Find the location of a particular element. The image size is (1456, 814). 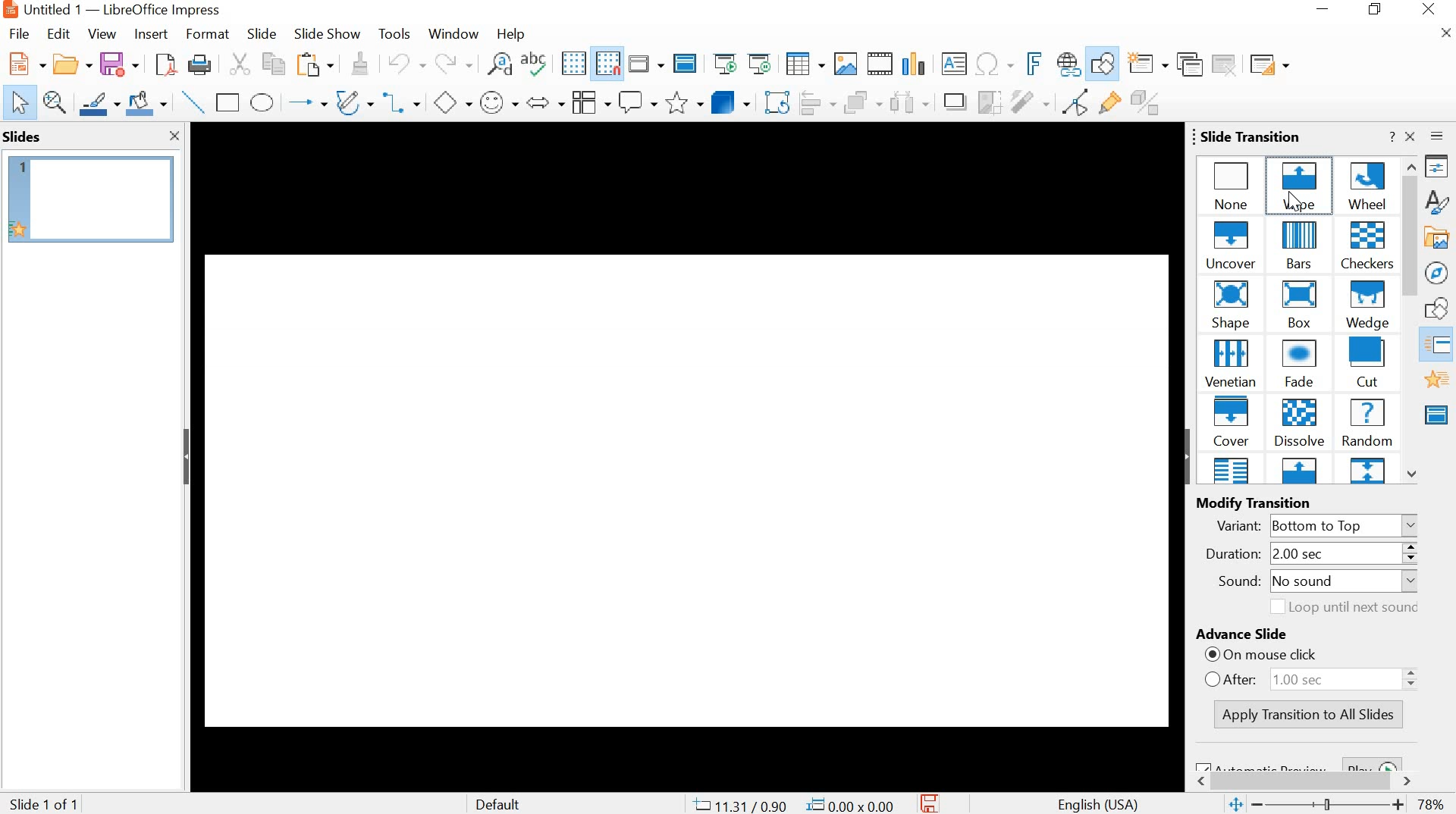

Advance slide transition is located at coordinates (1310, 636).